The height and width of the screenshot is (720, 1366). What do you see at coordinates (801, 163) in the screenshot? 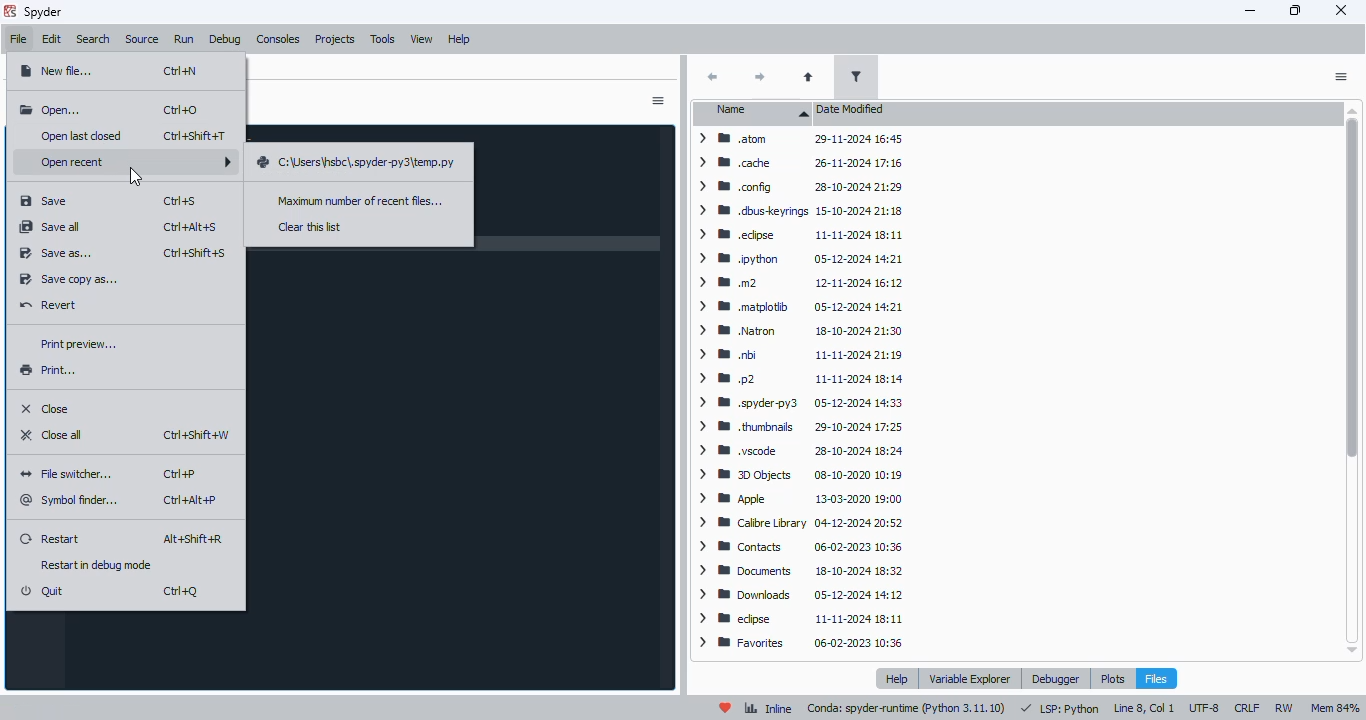
I see `> MW cache 26-11-2024 17:16` at bounding box center [801, 163].